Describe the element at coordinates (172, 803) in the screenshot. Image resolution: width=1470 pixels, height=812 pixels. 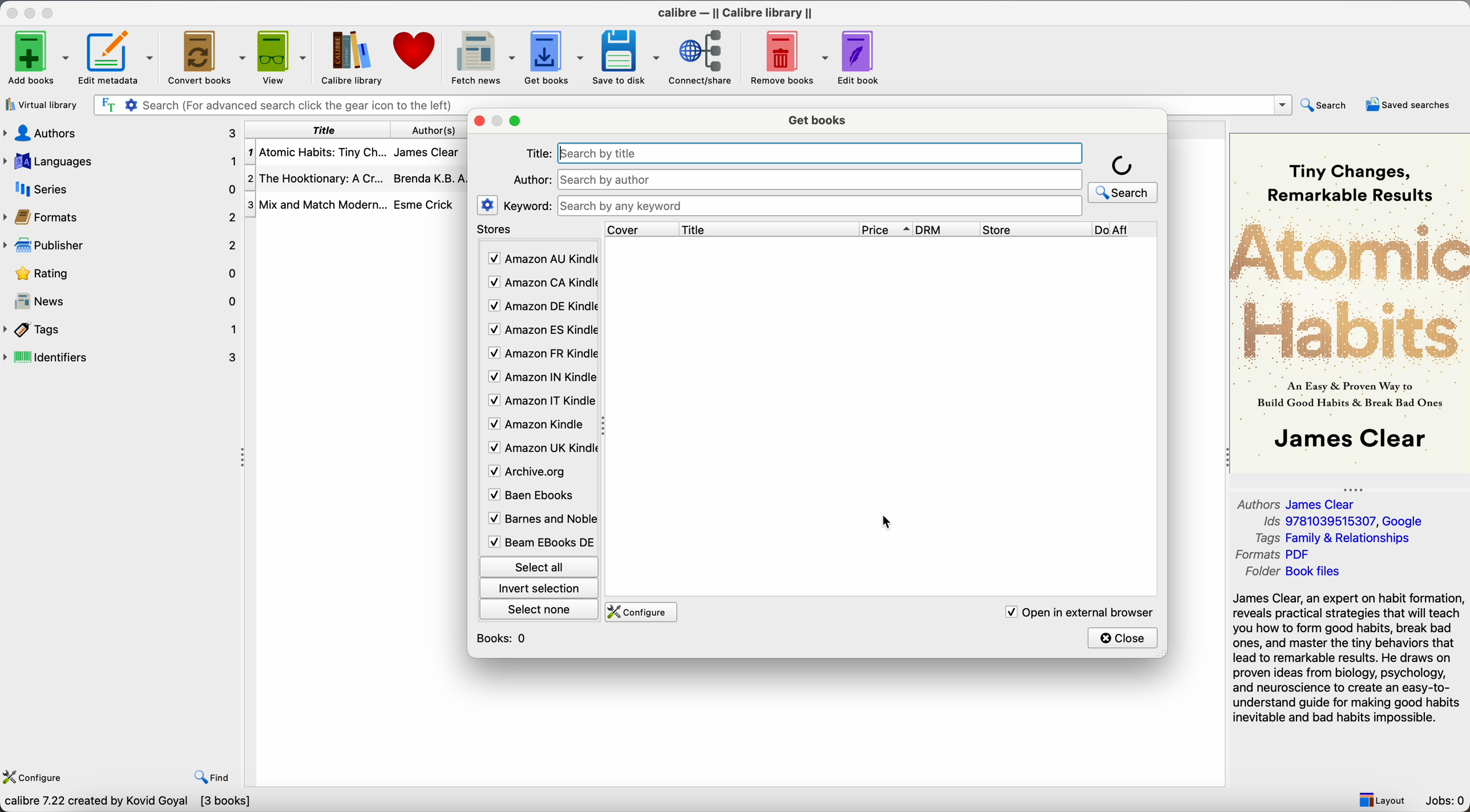
I see `Search dozens of online e-book retailers for the cheapest books` at that location.